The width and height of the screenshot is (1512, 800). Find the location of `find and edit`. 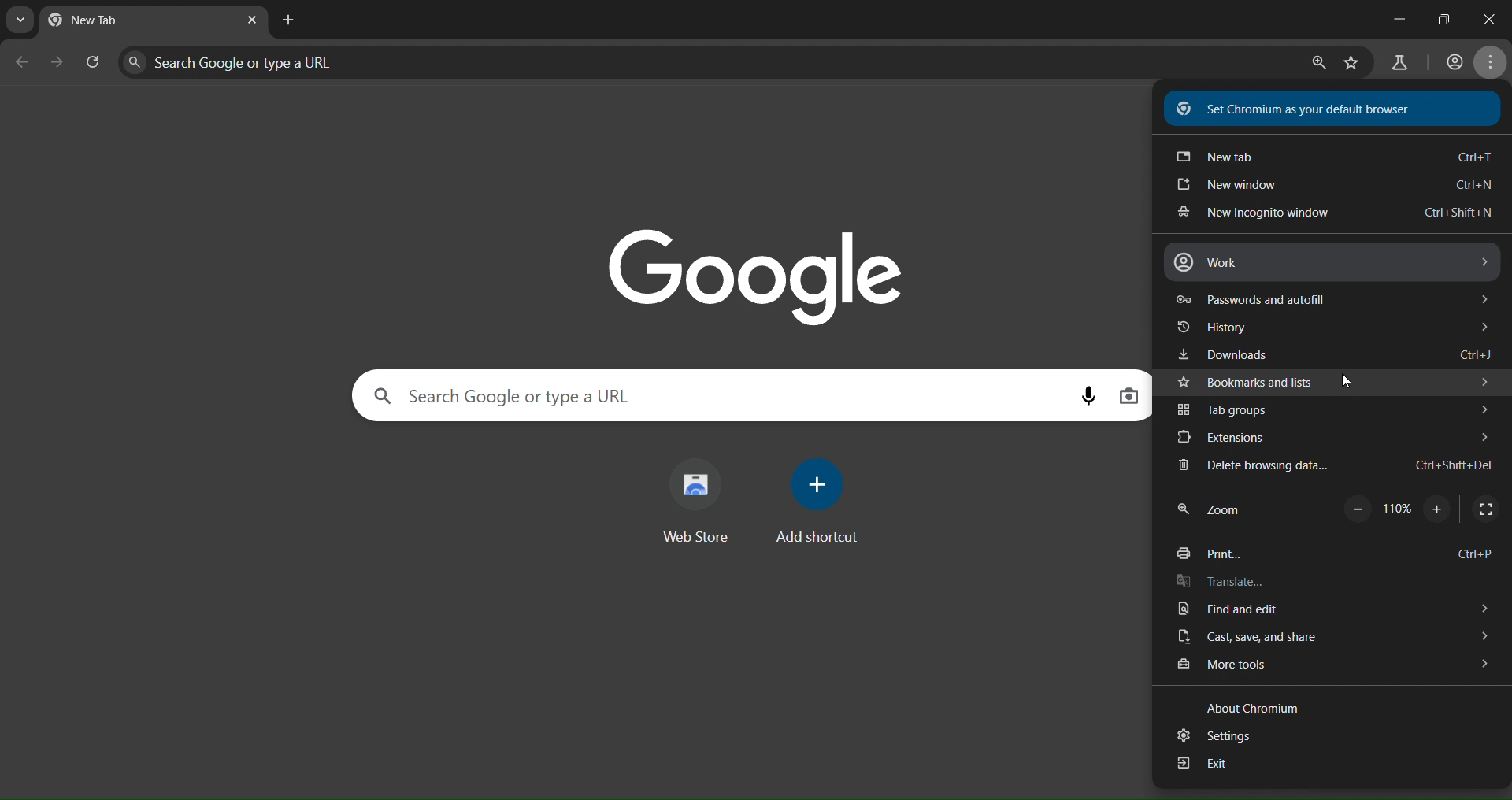

find and edit is located at coordinates (1333, 609).